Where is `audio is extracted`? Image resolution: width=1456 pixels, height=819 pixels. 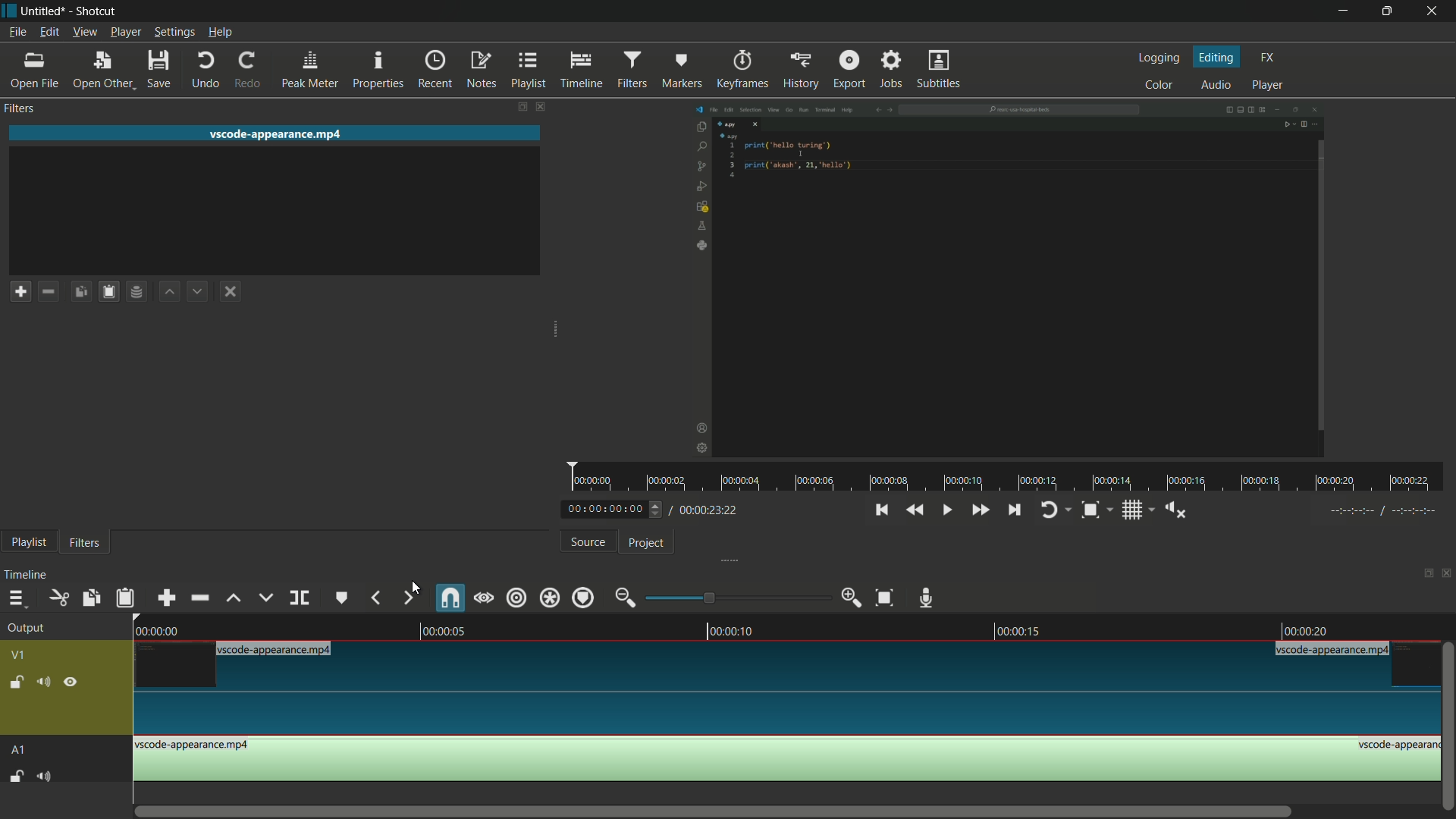 audio is extracted is located at coordinates (788, 759).